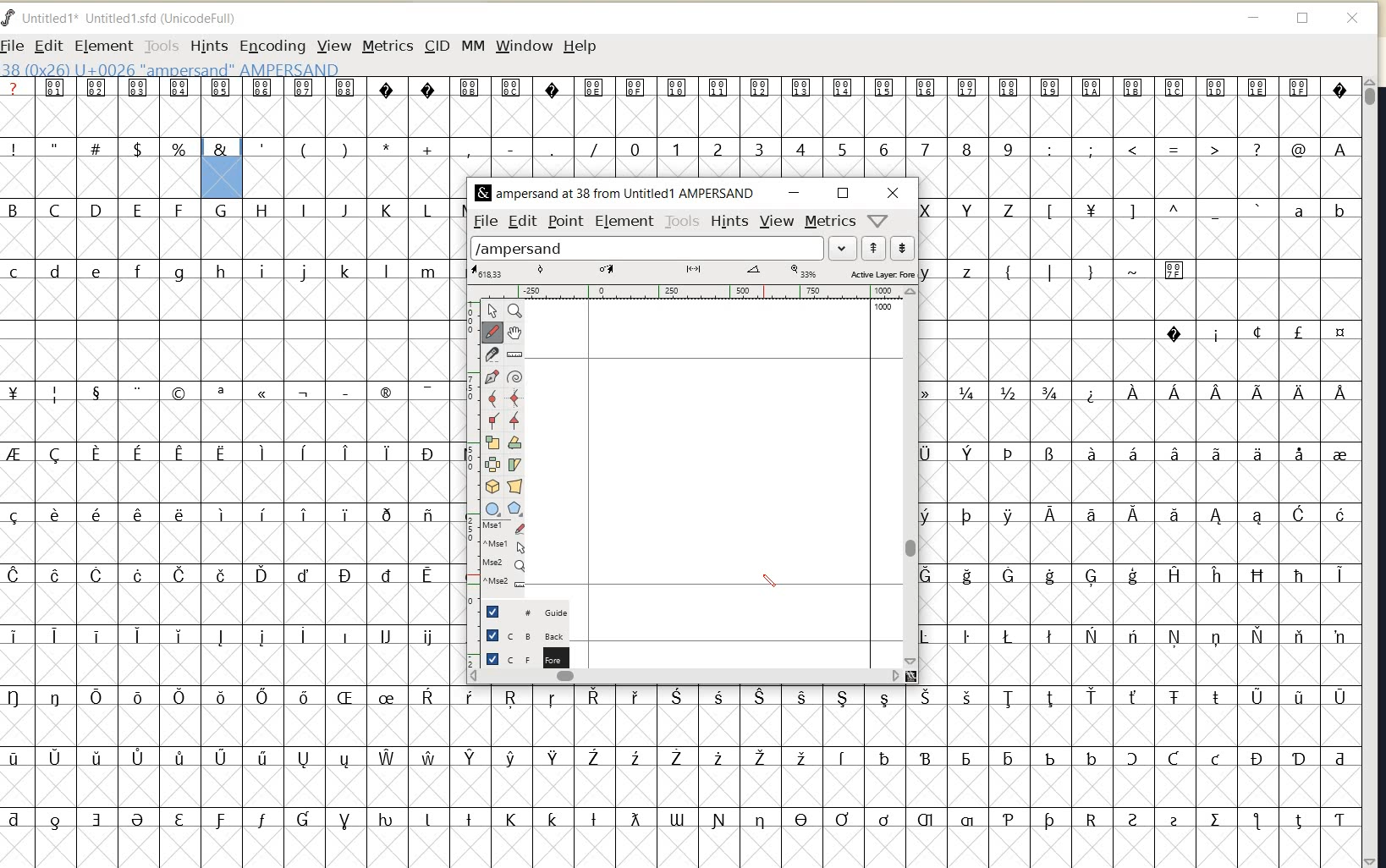  I want to click on measure distance, angle between points, so click(514, 354).